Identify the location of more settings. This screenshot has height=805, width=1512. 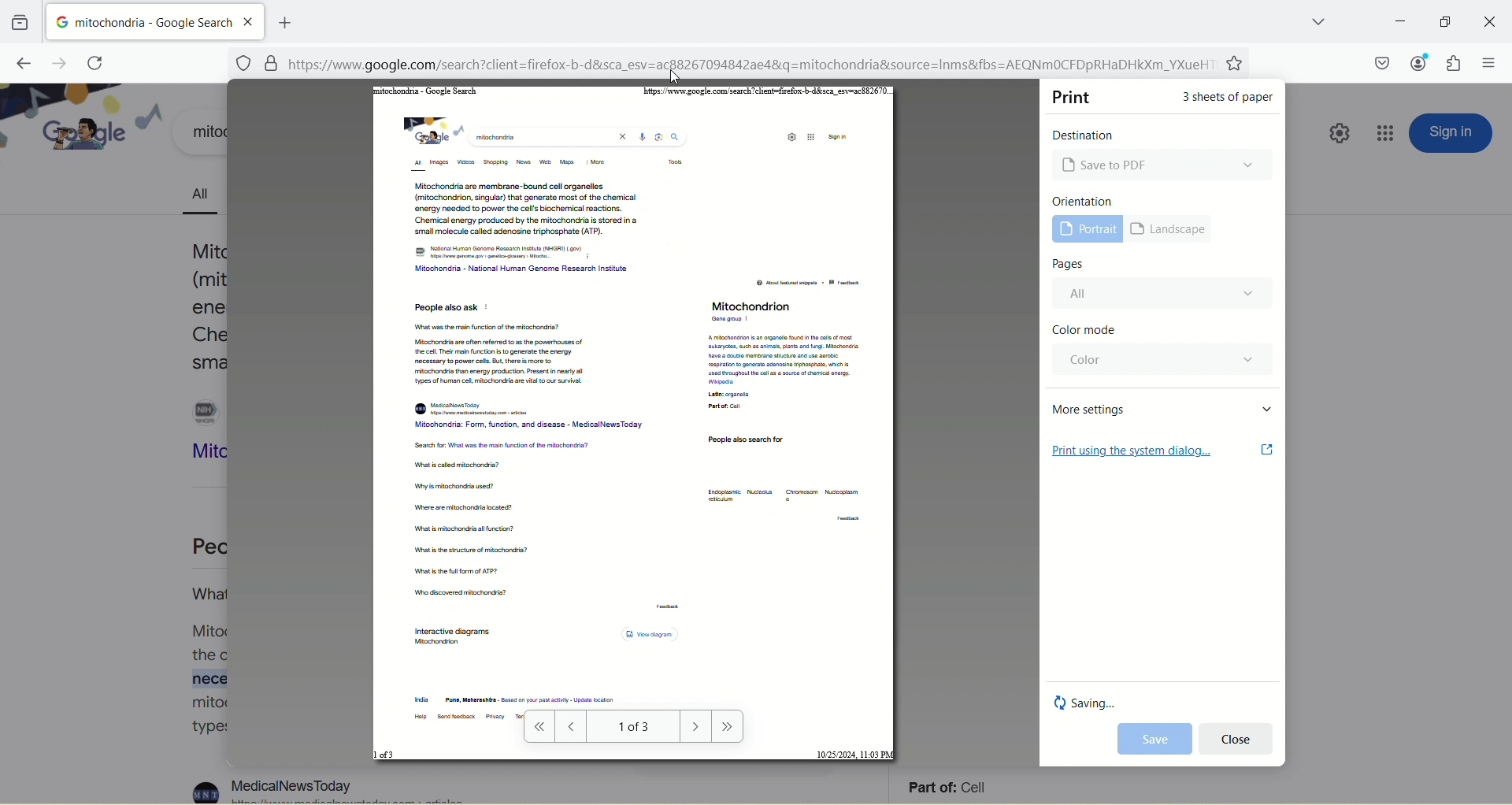
(1162, 408).